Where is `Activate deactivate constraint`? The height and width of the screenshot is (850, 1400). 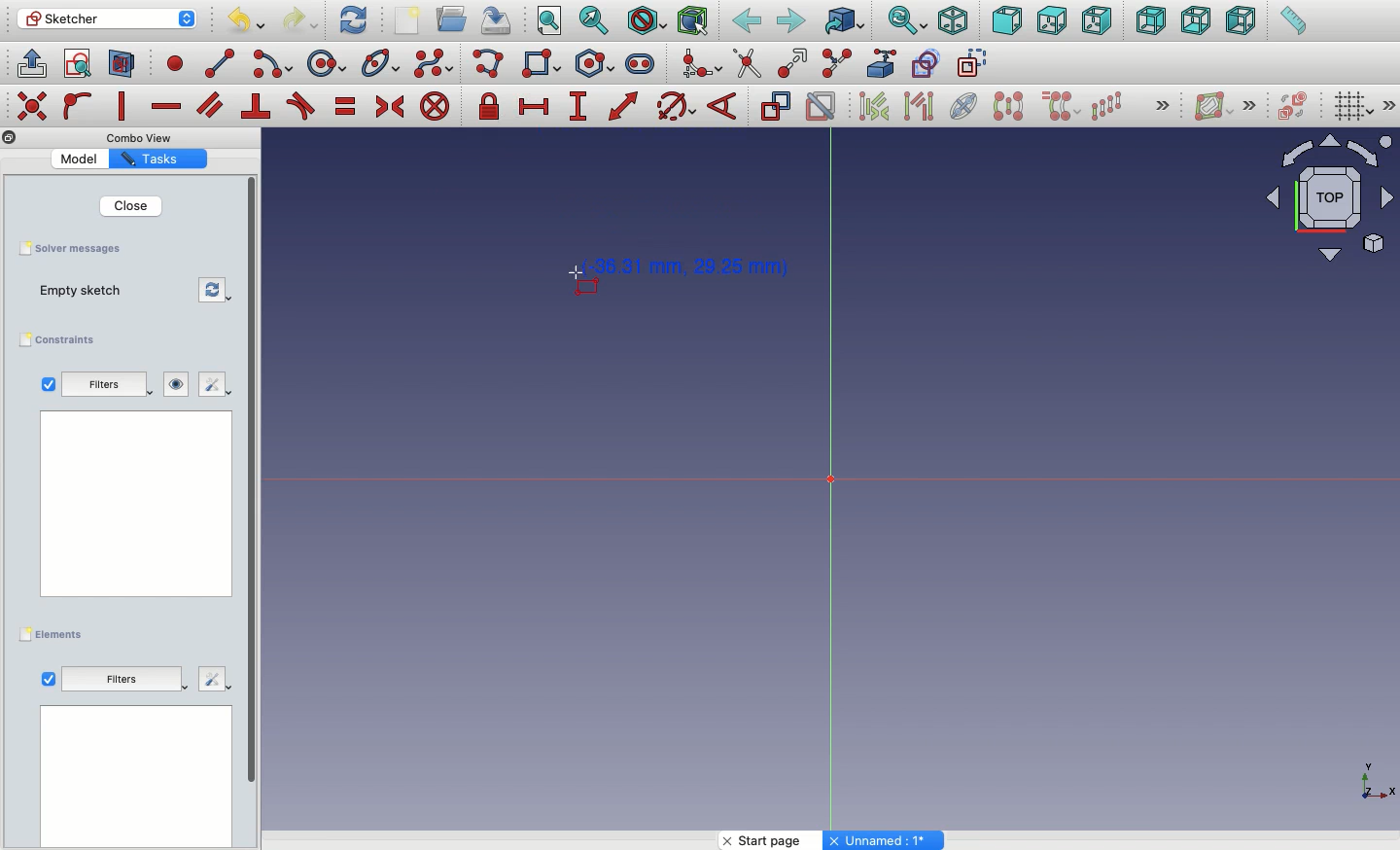
Activate deactivate constraint is located at coordinates (822, 108).